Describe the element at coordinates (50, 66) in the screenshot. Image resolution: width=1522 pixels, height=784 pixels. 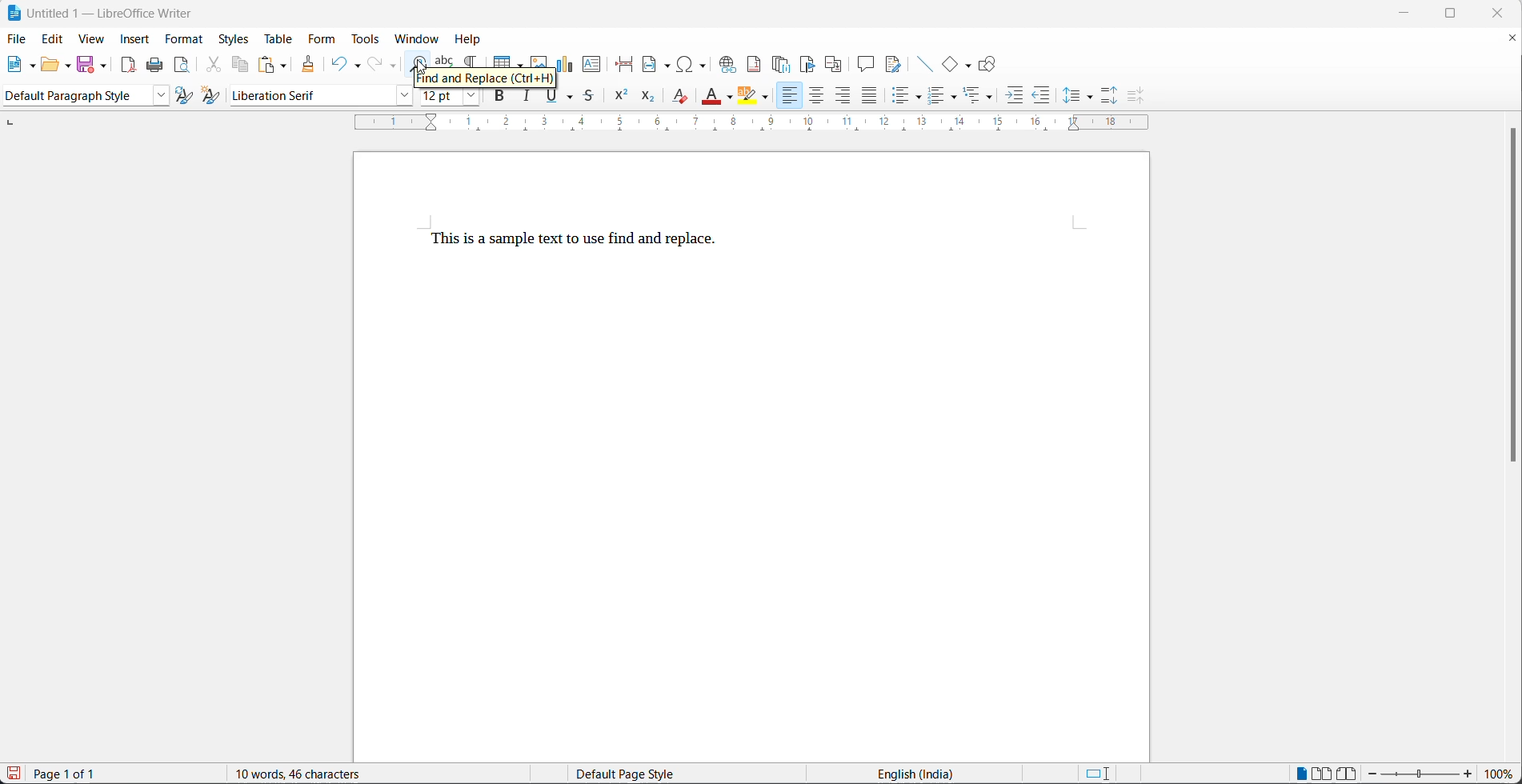
I see `open` at that location.